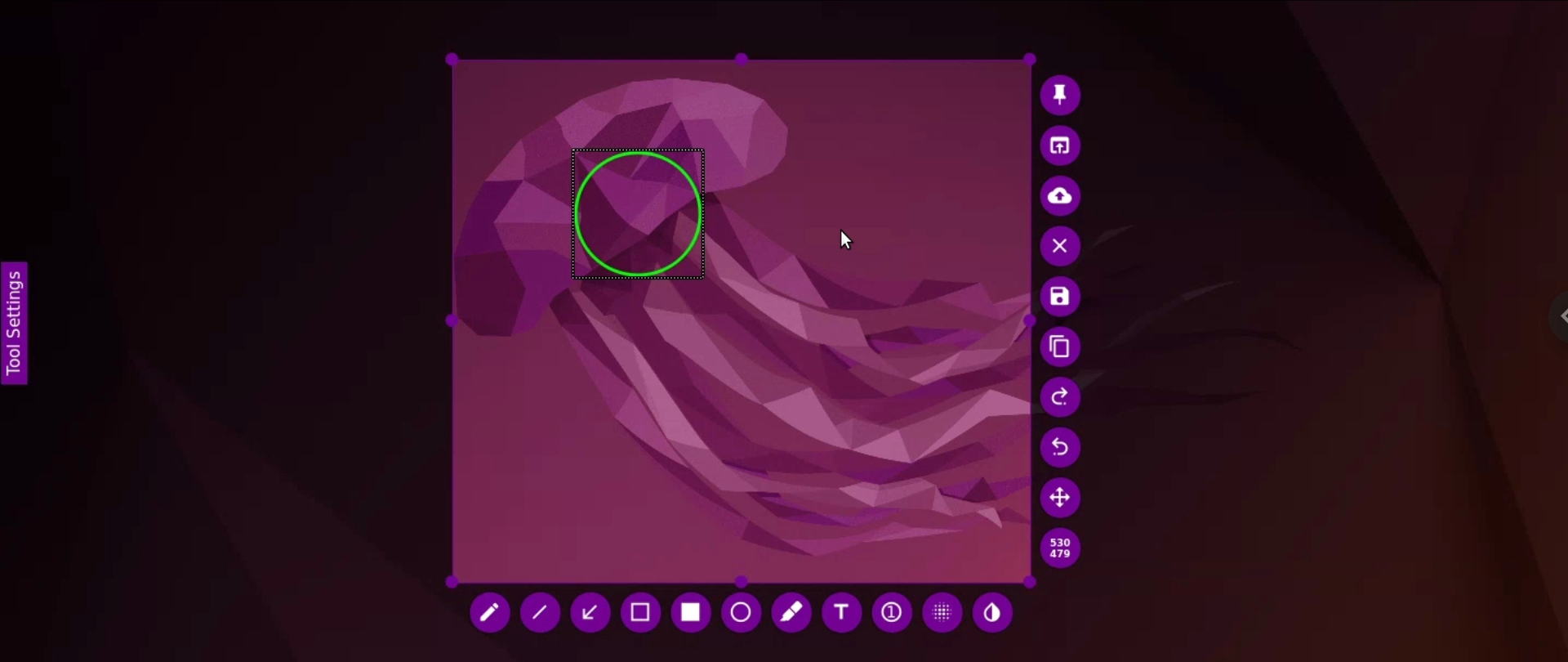  What do you see at coordinates (1061, 195) in the screenshot?
I see `upload` at bounding box center [1061, 195].